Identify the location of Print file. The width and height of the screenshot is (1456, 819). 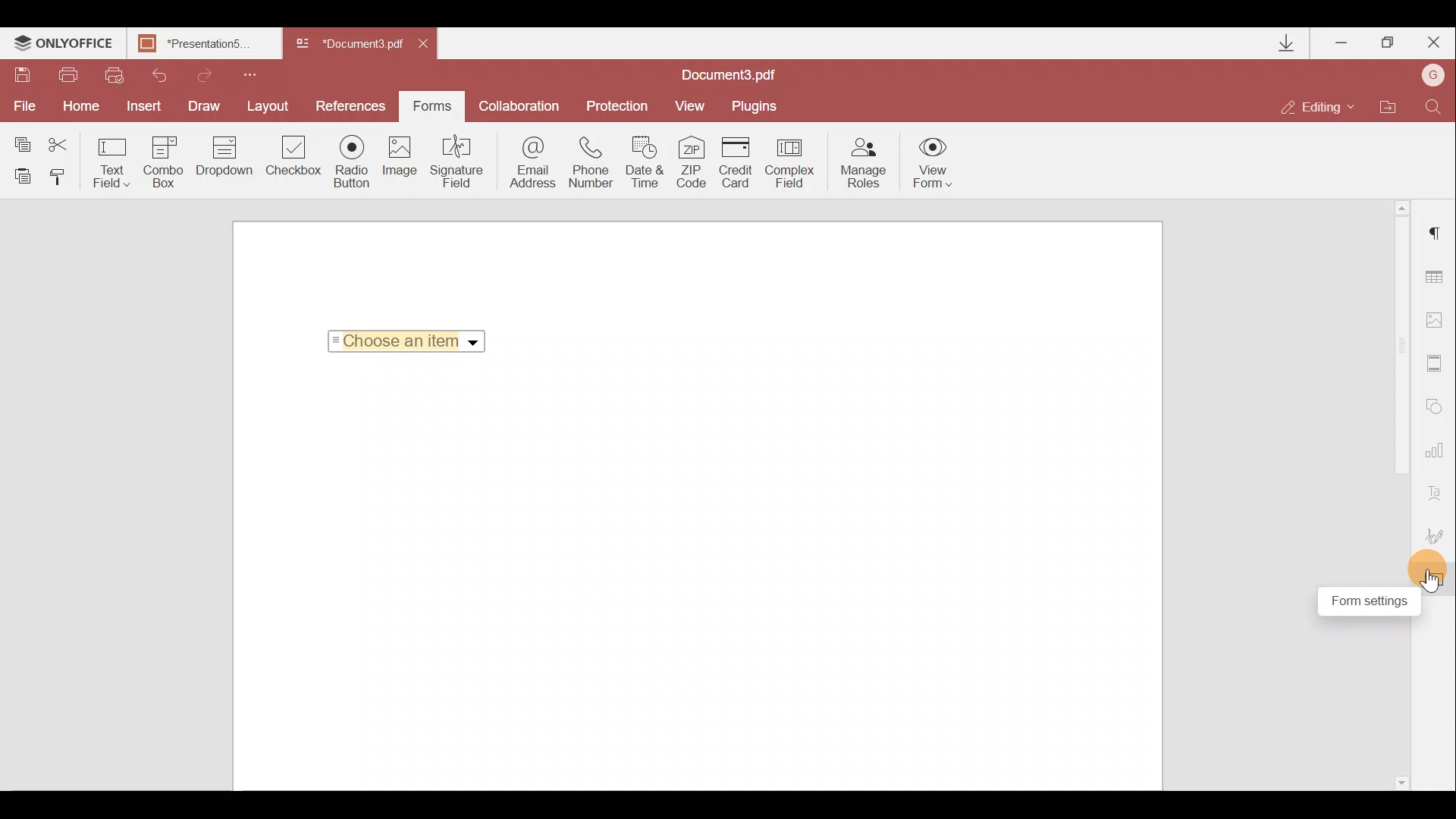
(70, 76).